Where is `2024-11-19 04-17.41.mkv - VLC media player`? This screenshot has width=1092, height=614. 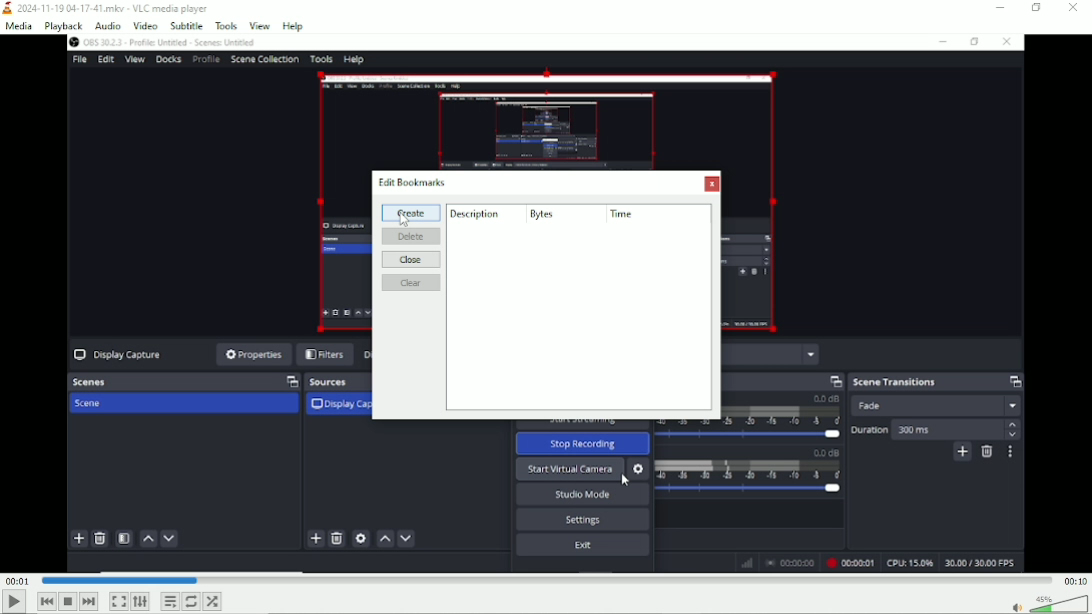 2024-11-19 04-17.41.mkv - VLC media player is located at coordinates (107, 8).